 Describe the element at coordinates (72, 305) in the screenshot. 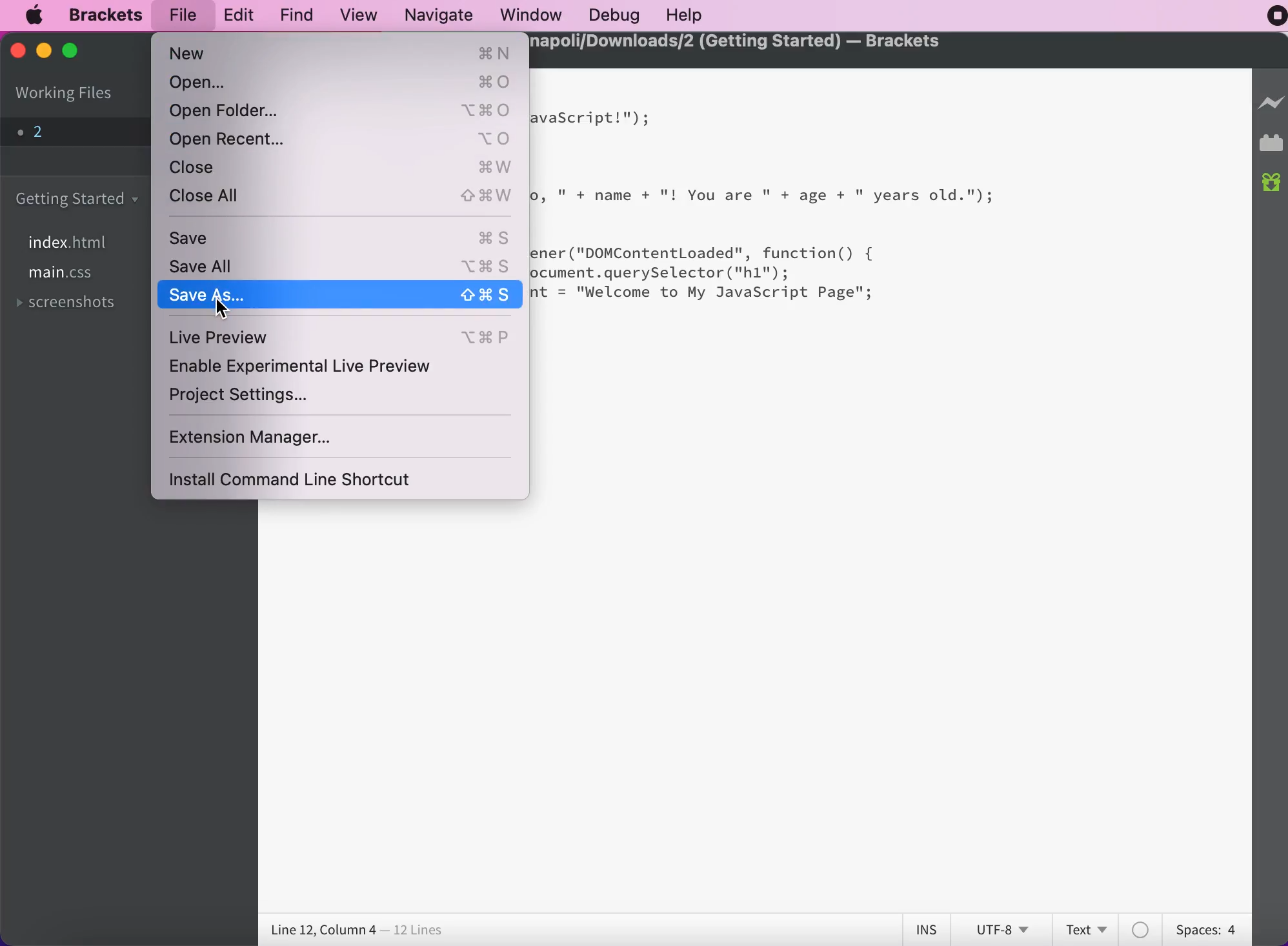

I see `screenshots` at that location.